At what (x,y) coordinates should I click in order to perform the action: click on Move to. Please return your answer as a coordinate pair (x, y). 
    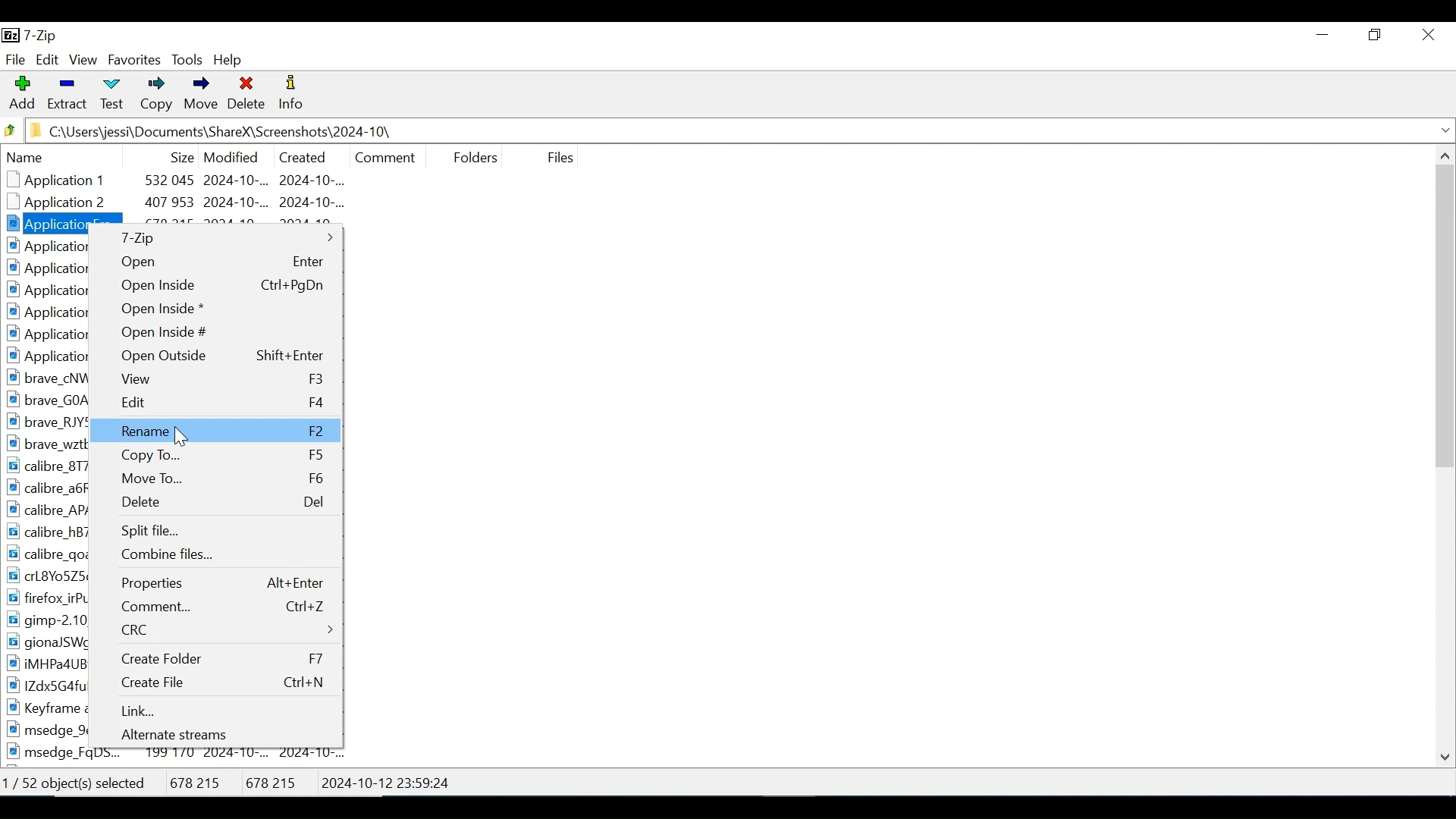
    Looking at the image, I should click on (215, 477).